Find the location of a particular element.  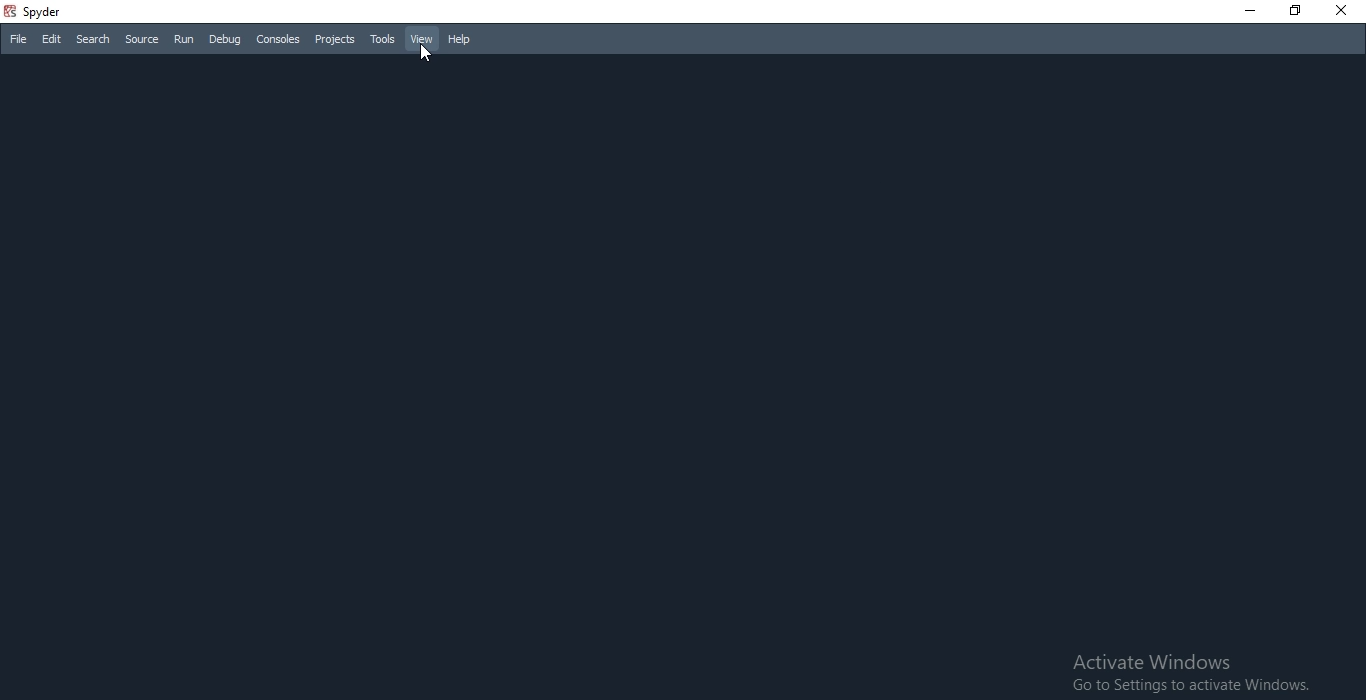

Projects is located at coordinates (335, 40).